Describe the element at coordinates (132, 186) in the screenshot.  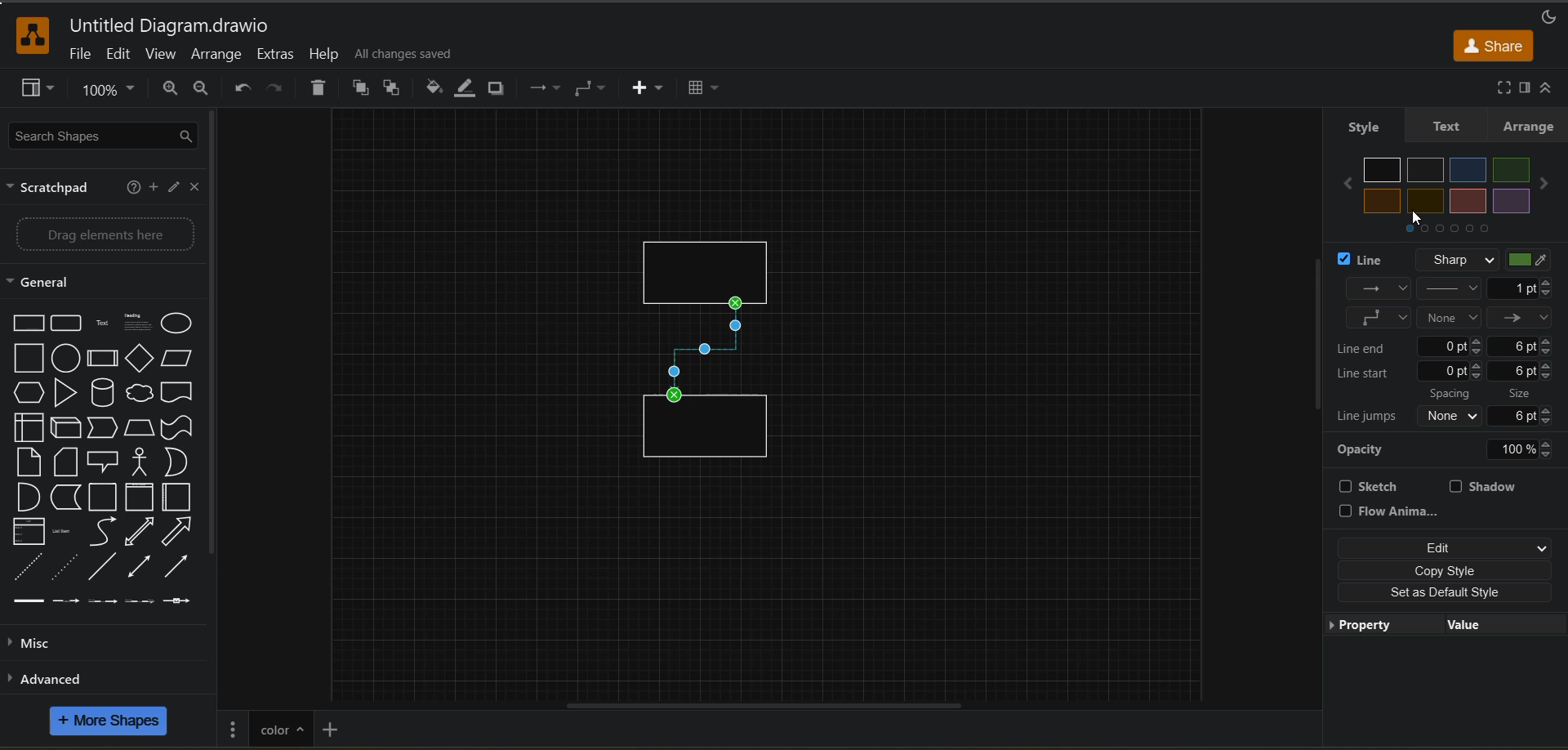
I see `help` at that location.